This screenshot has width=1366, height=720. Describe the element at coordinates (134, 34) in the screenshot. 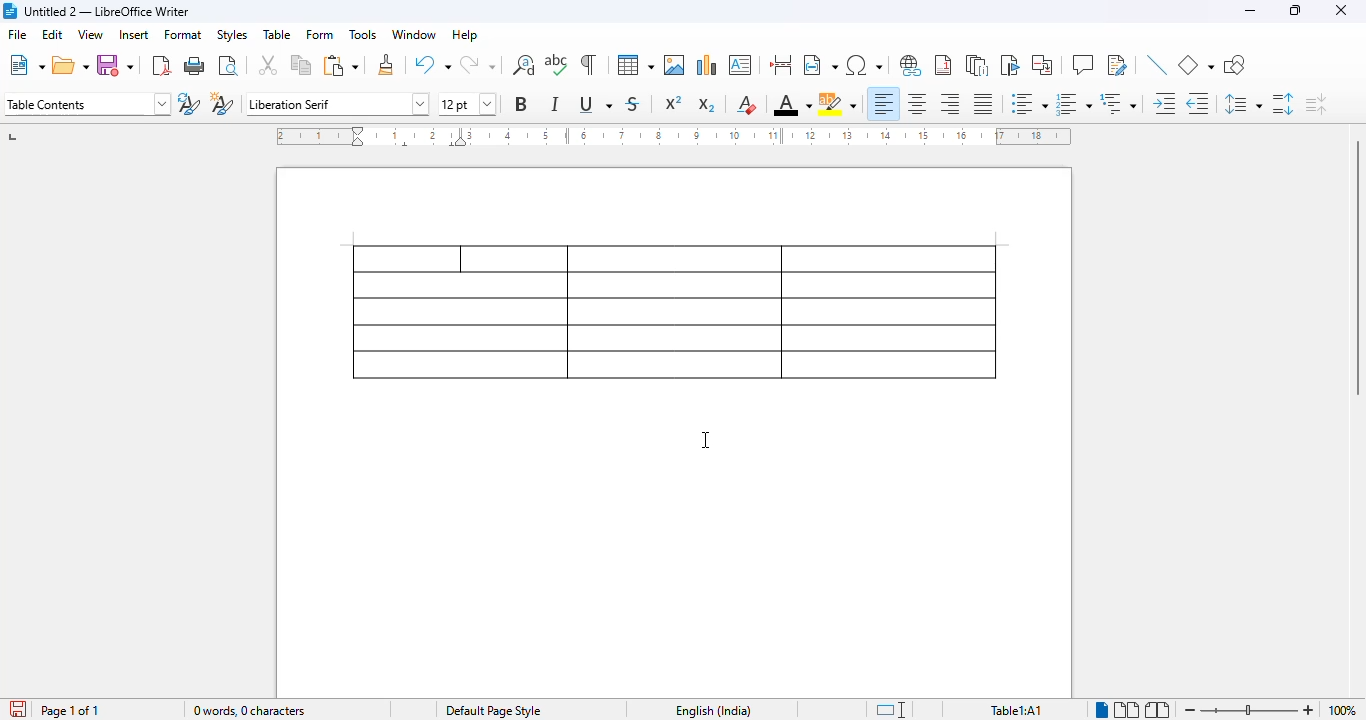

I see `insert` at that location.